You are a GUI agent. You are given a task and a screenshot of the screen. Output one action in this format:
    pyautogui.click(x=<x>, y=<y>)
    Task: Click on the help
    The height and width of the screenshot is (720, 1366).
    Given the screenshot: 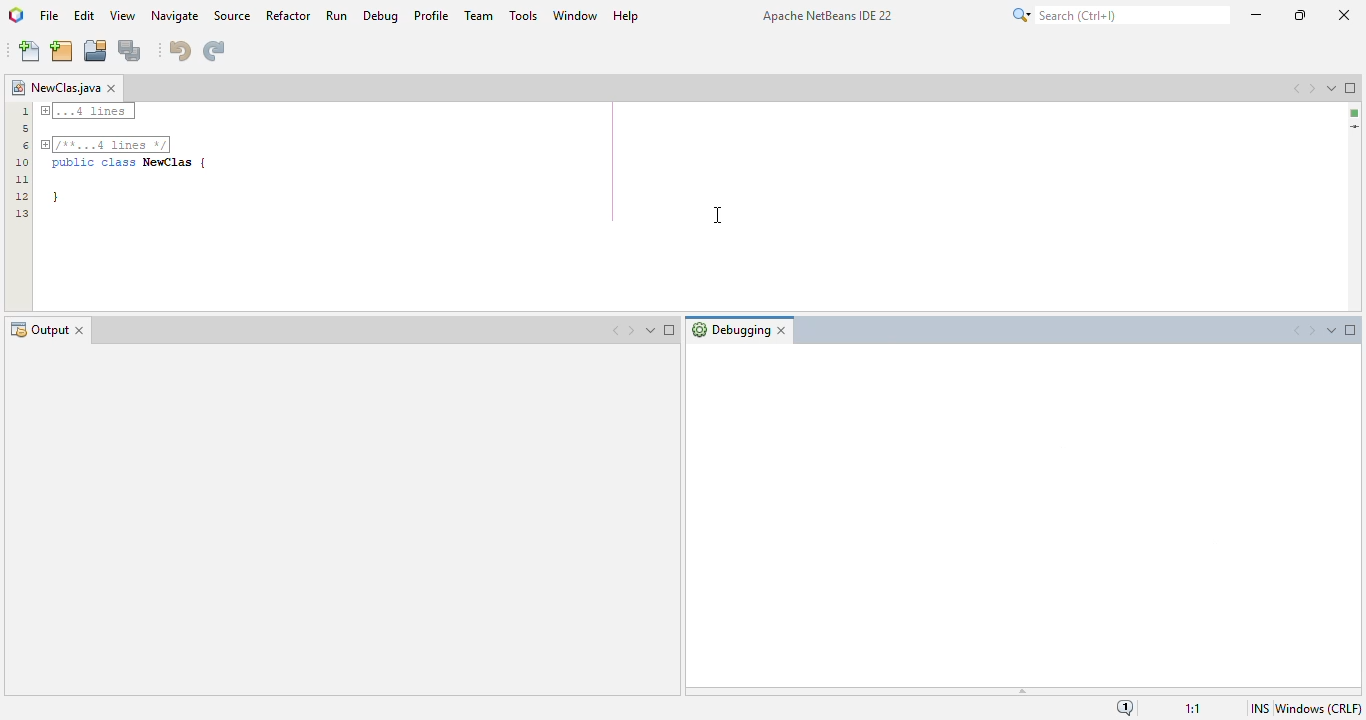 What is the action you would take?
    pyautogui.click(x=626, y=14)
    